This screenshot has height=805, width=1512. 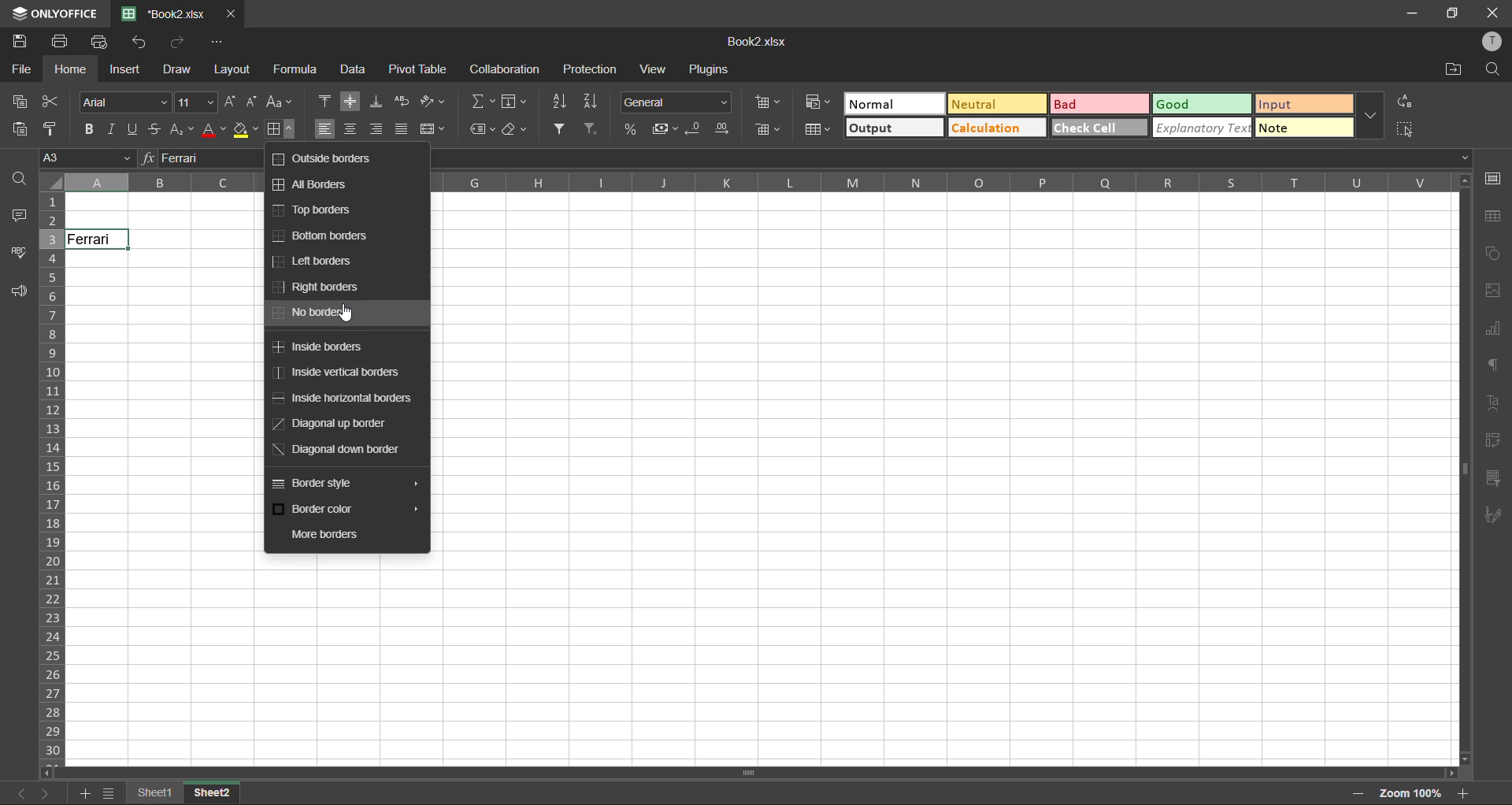 What do you see at coordinates (1492, 518) in the screenshot?
I see `signature` at bounding box center [1492, 518].